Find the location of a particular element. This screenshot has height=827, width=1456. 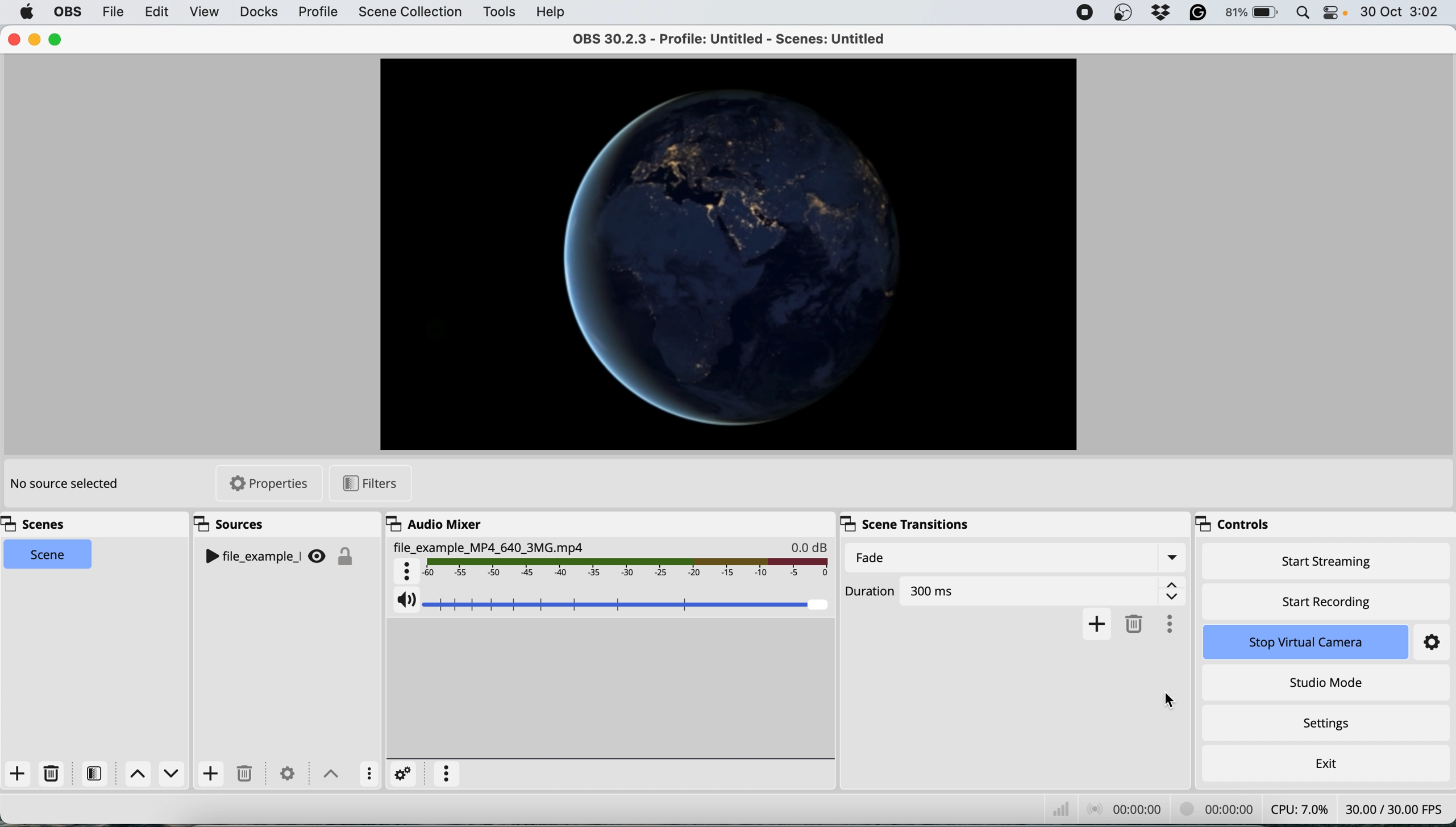

screen recorder is located at coordinates (1081, 12).